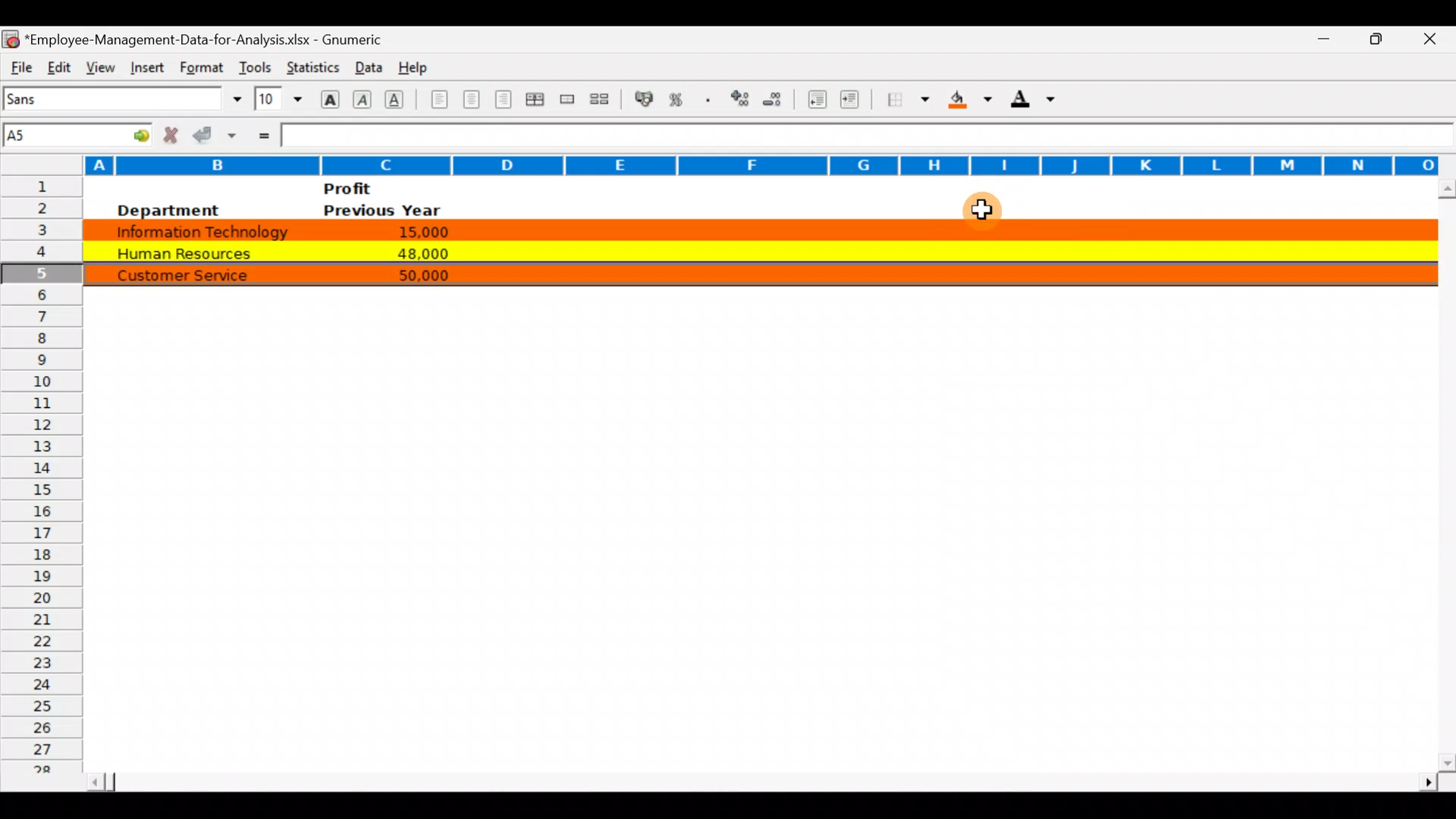 The image size is (1456, 819). Describe the element at coordinates (262, 134) in the screenshot. I see `Enter formula` at that location.